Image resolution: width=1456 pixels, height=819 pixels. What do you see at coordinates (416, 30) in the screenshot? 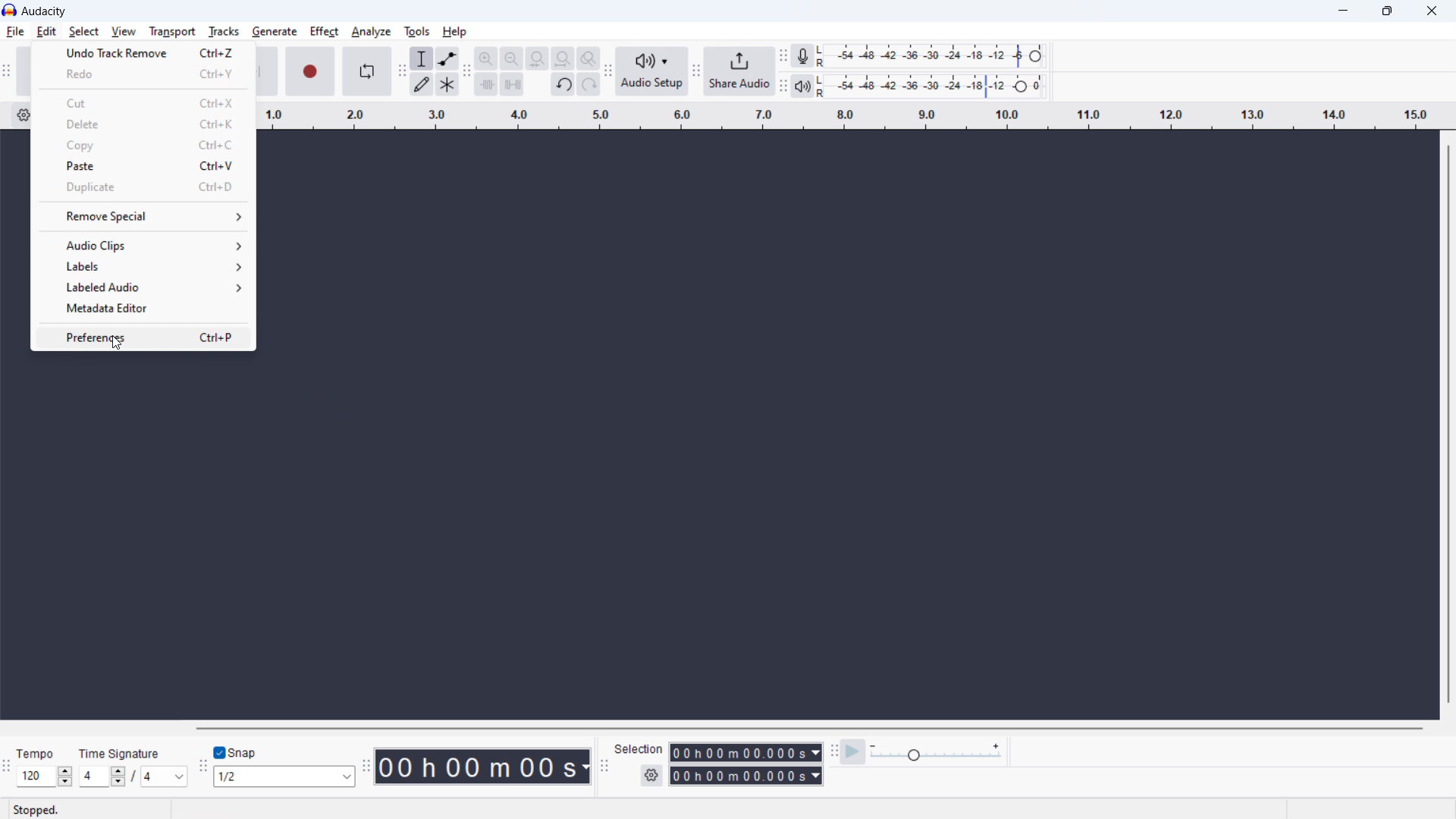
I see `tools` at bounding box center [416, 30].